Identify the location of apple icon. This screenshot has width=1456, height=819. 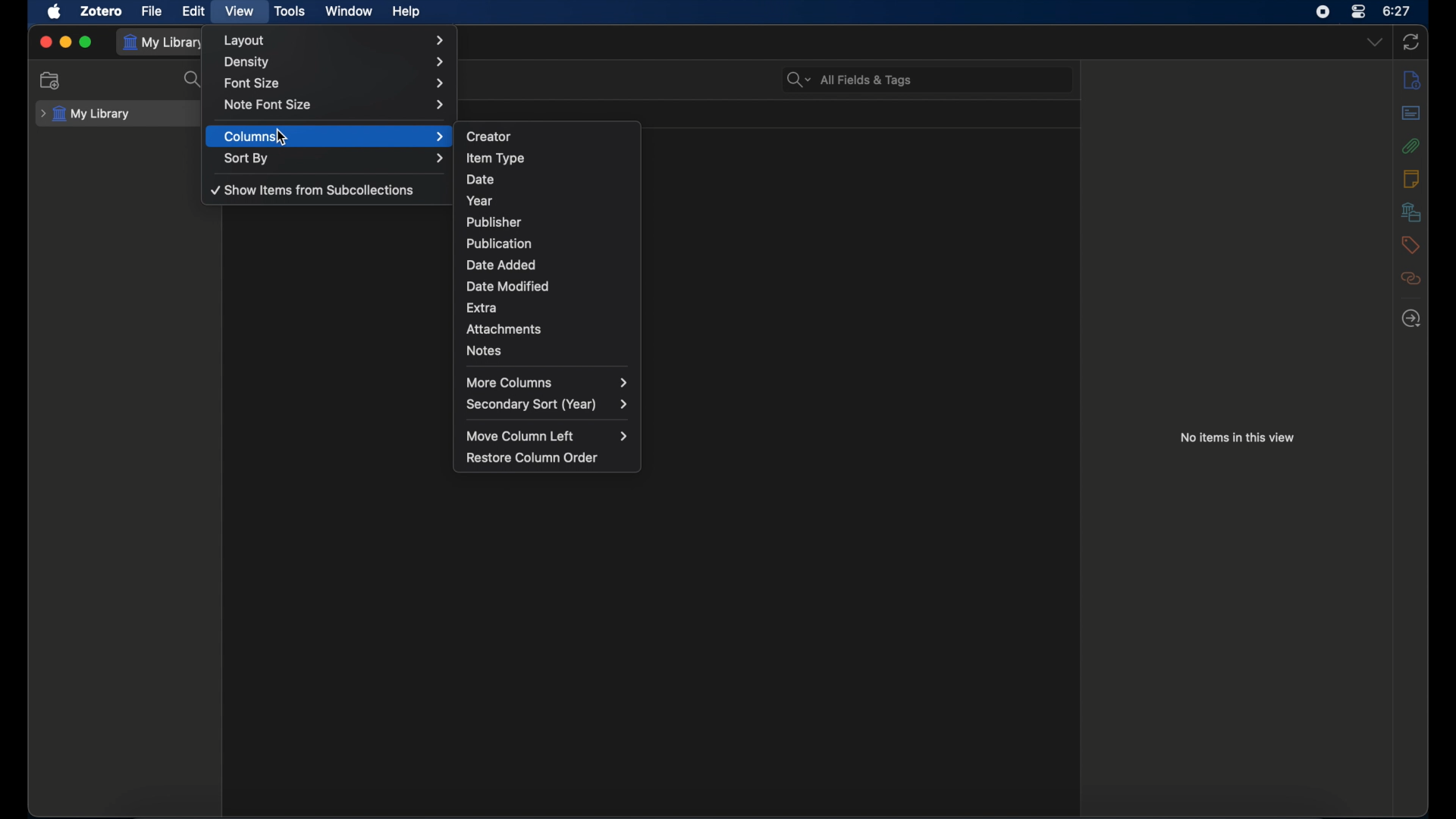
(55, 11).